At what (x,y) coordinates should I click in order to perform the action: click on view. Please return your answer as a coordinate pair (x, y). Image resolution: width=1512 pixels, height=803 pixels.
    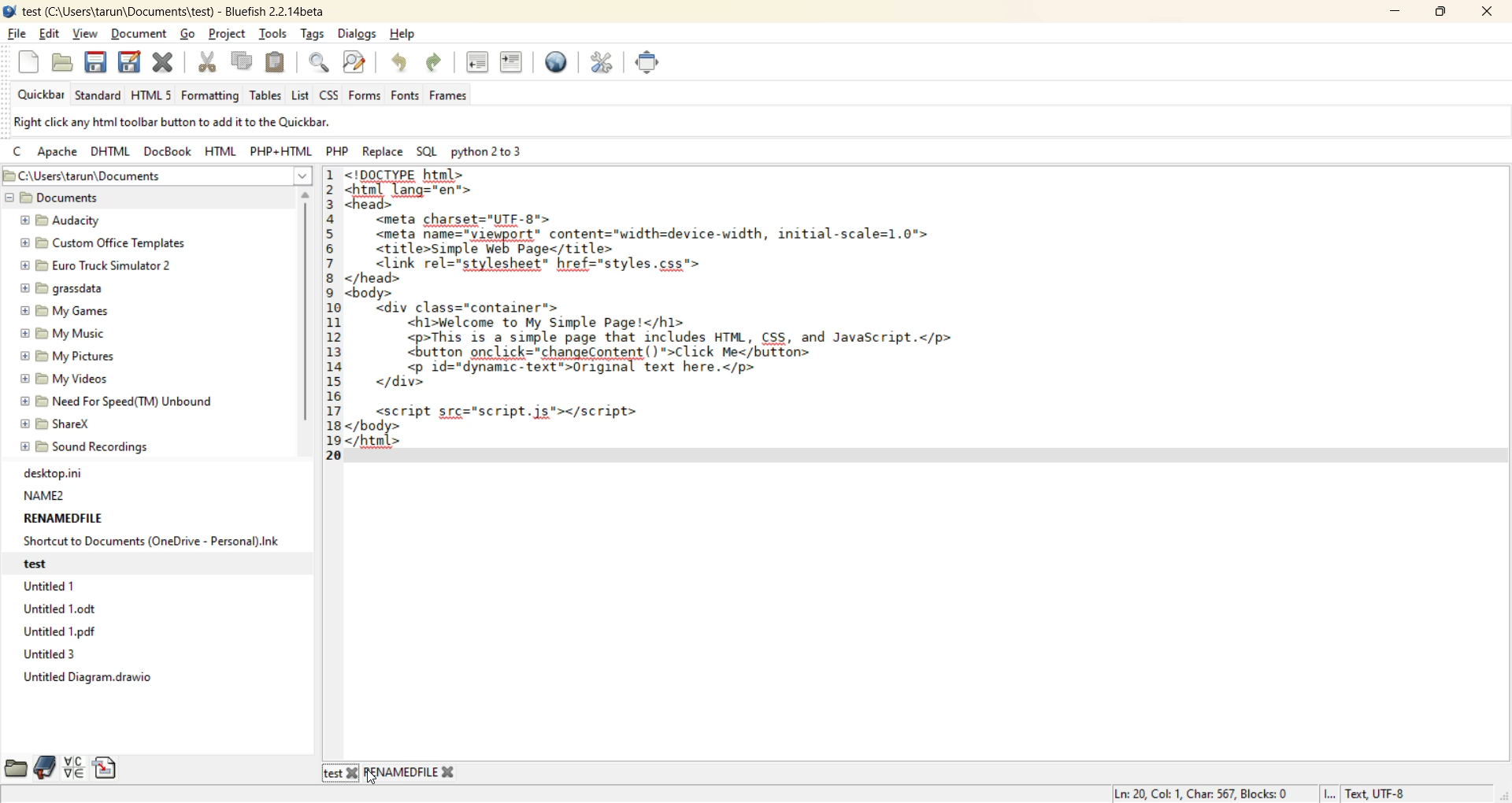
    Looking at the image, I should click on (88, 31).